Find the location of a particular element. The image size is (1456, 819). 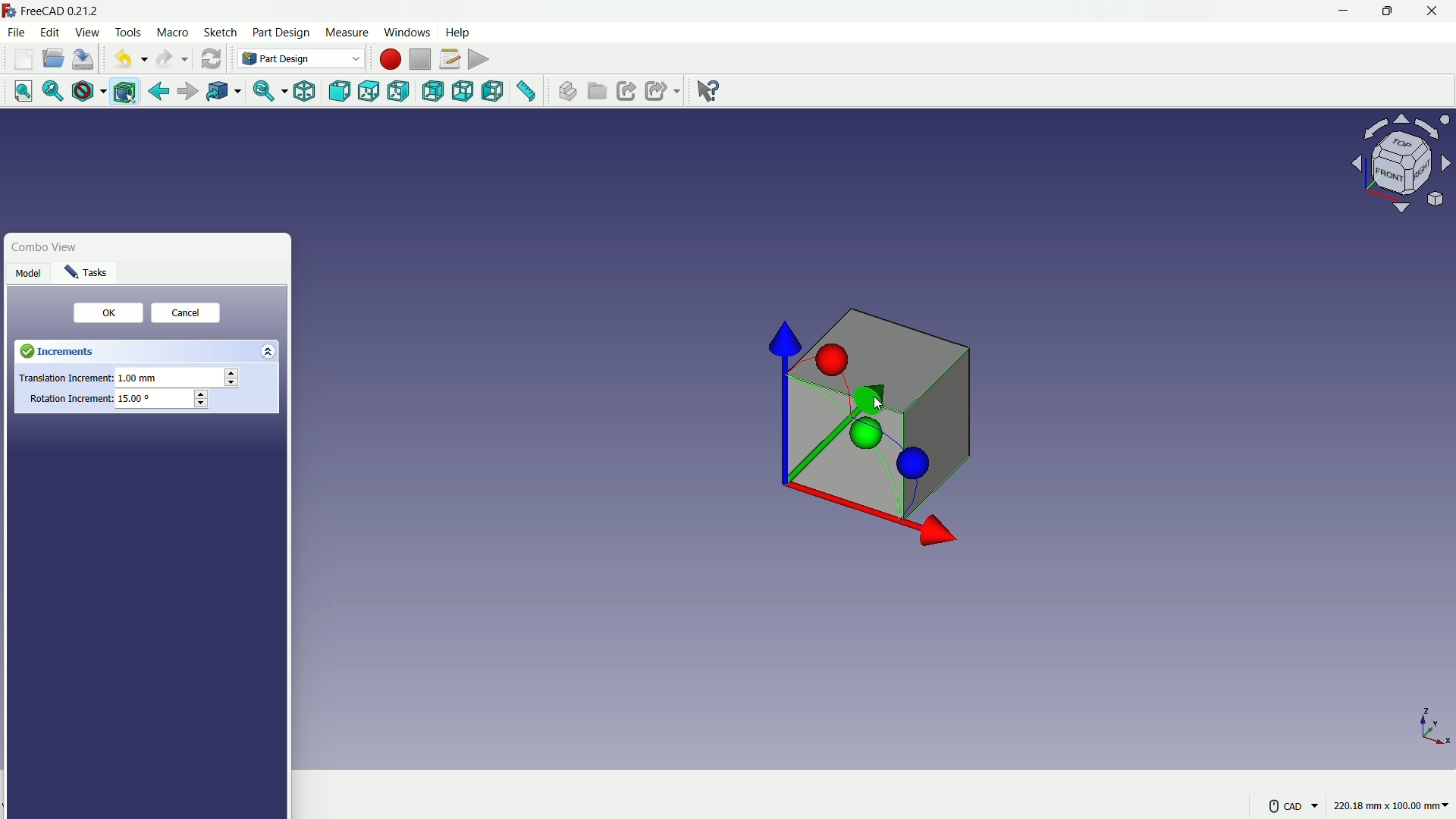

maximize or restore is located at coordinates (1385, 11).